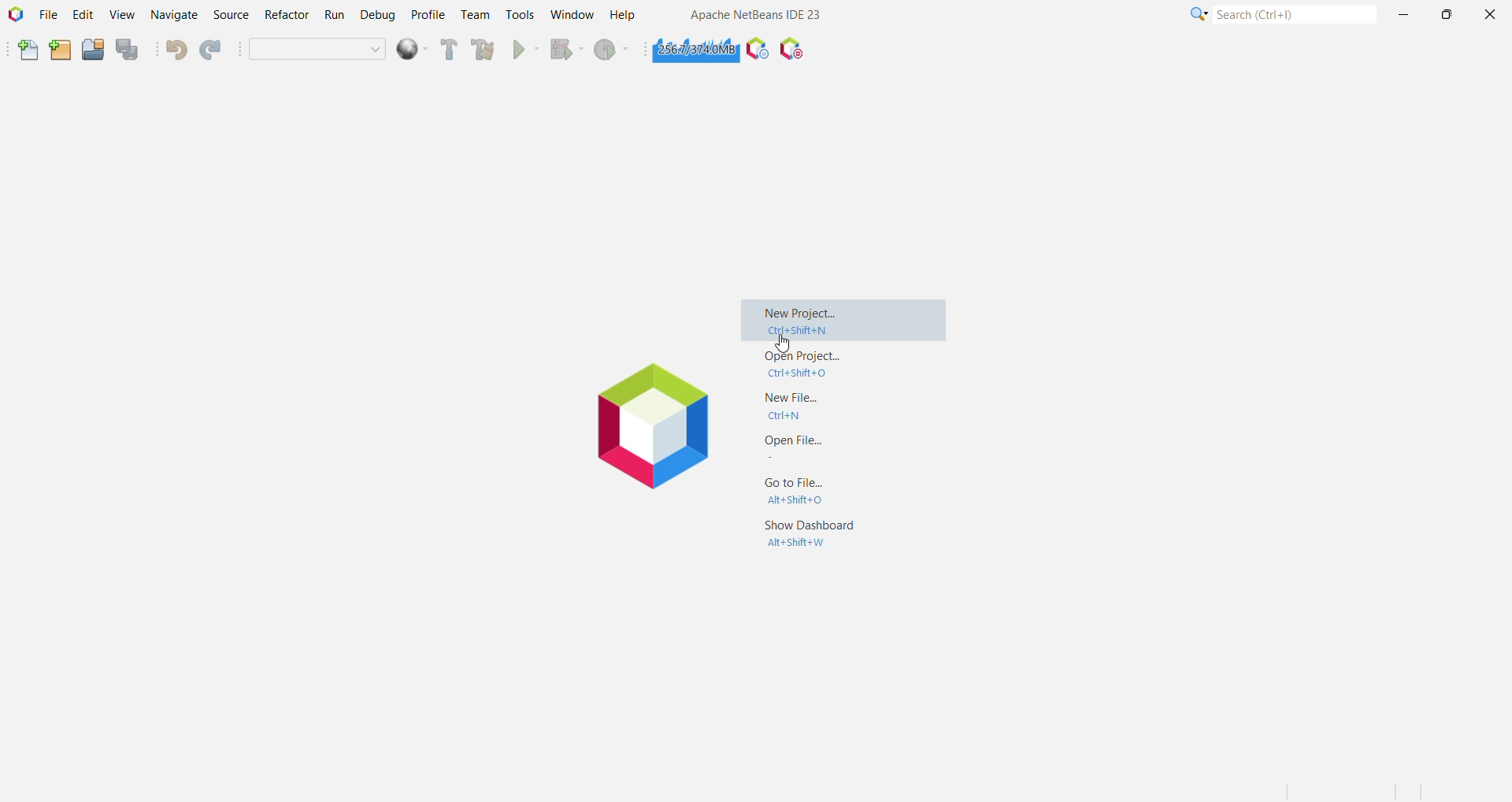 This screenshot has height=802, width=1512. Describe the element at coordinates (122, 17) in the screenshot. I see `View` at that location.